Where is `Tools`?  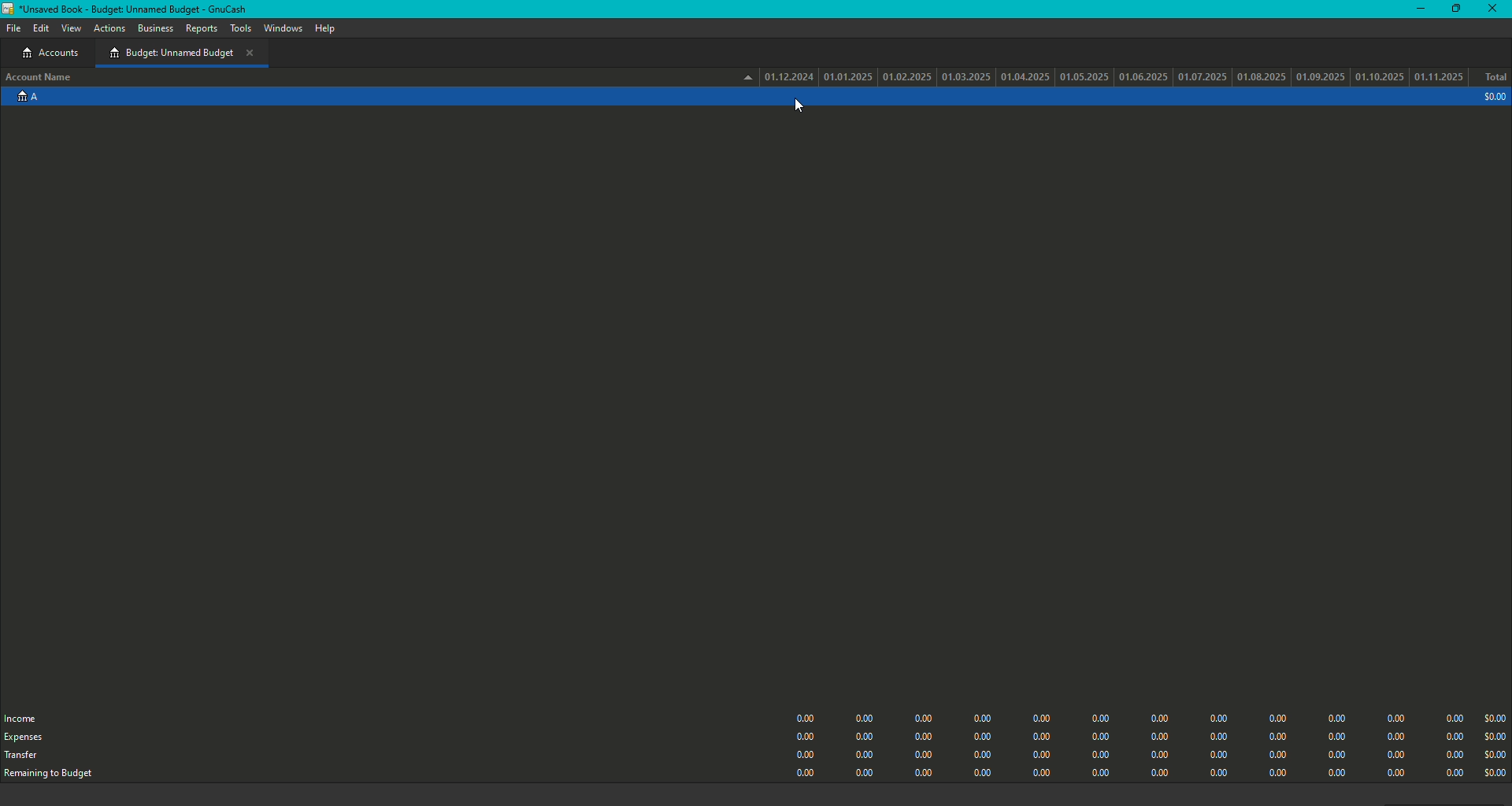 Tools is located at coordinates (240, 28).